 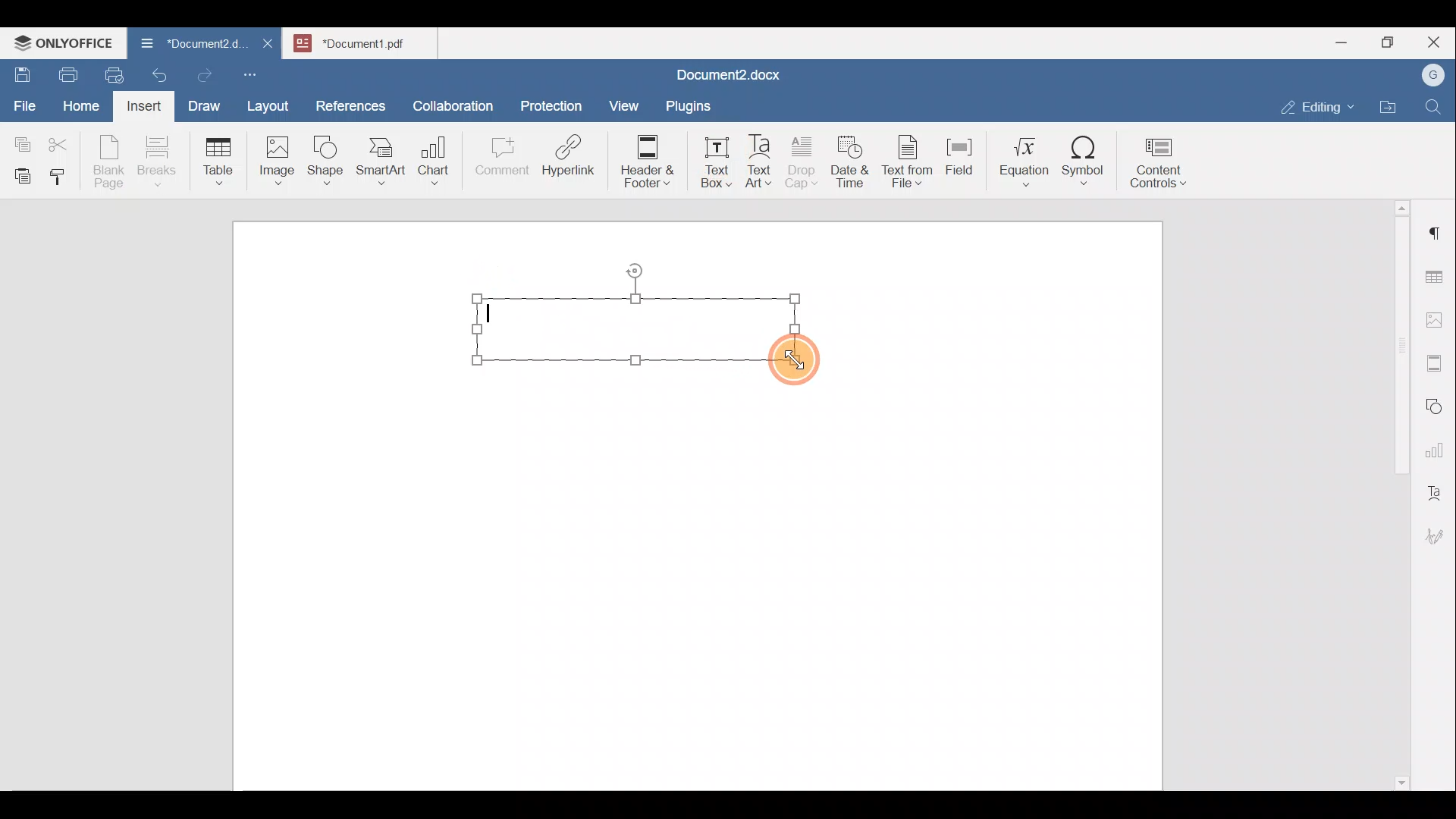 I want to click on Account name, so click(x=1429, y=76).